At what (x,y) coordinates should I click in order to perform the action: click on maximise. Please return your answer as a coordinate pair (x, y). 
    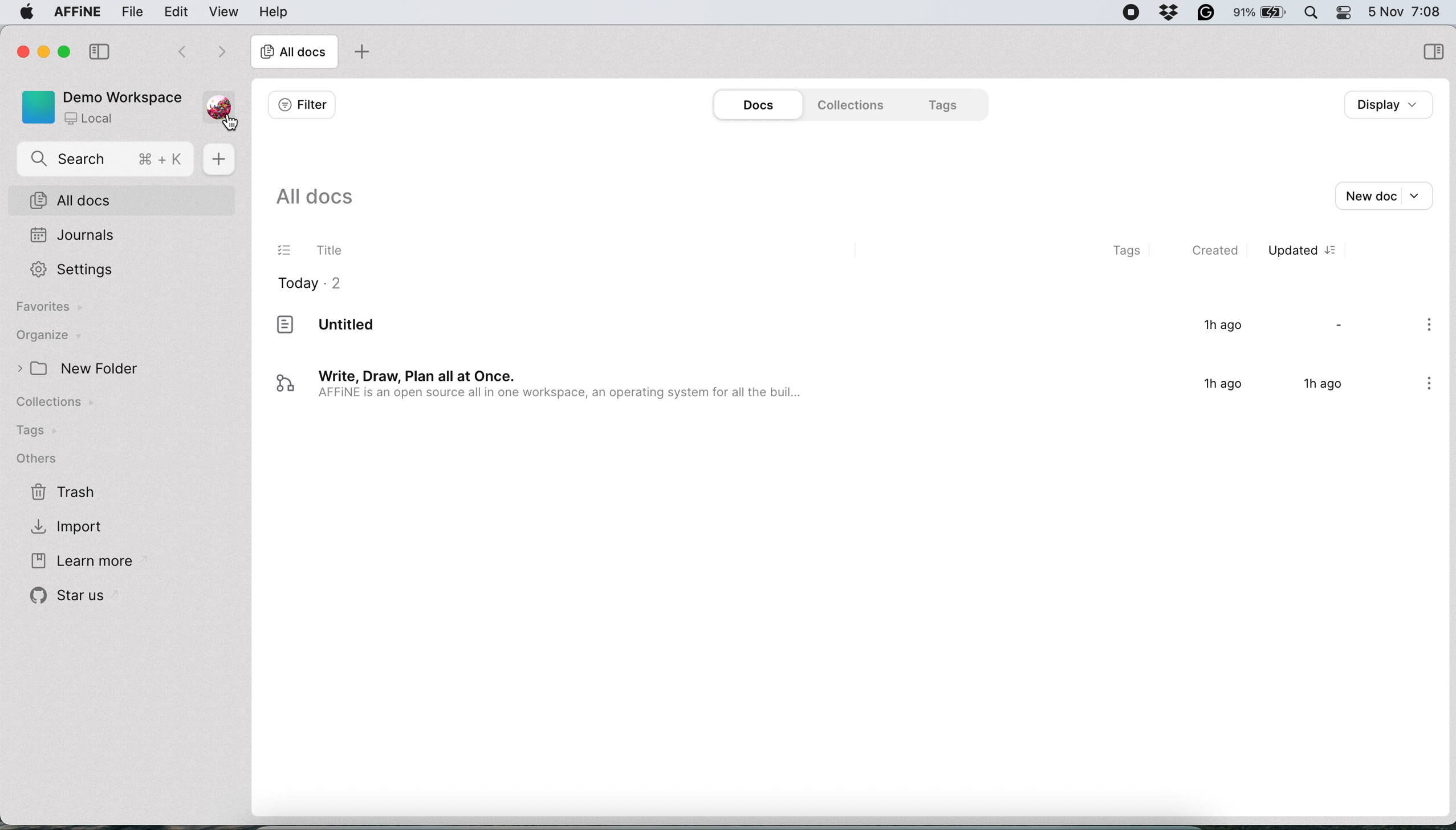
    Looking at the image, I should click on (59, 52).